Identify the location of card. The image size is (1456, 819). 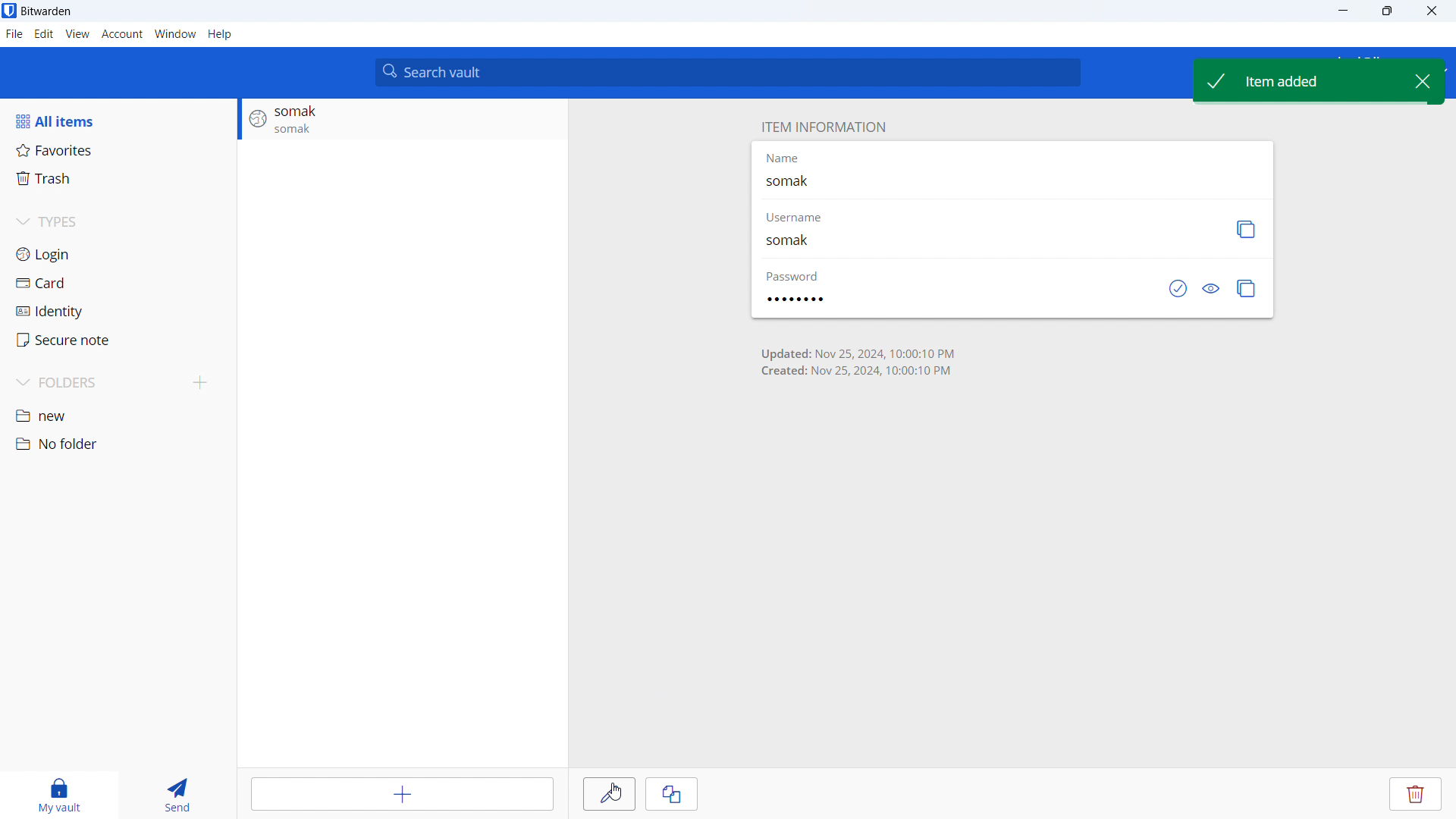
(118, 284).